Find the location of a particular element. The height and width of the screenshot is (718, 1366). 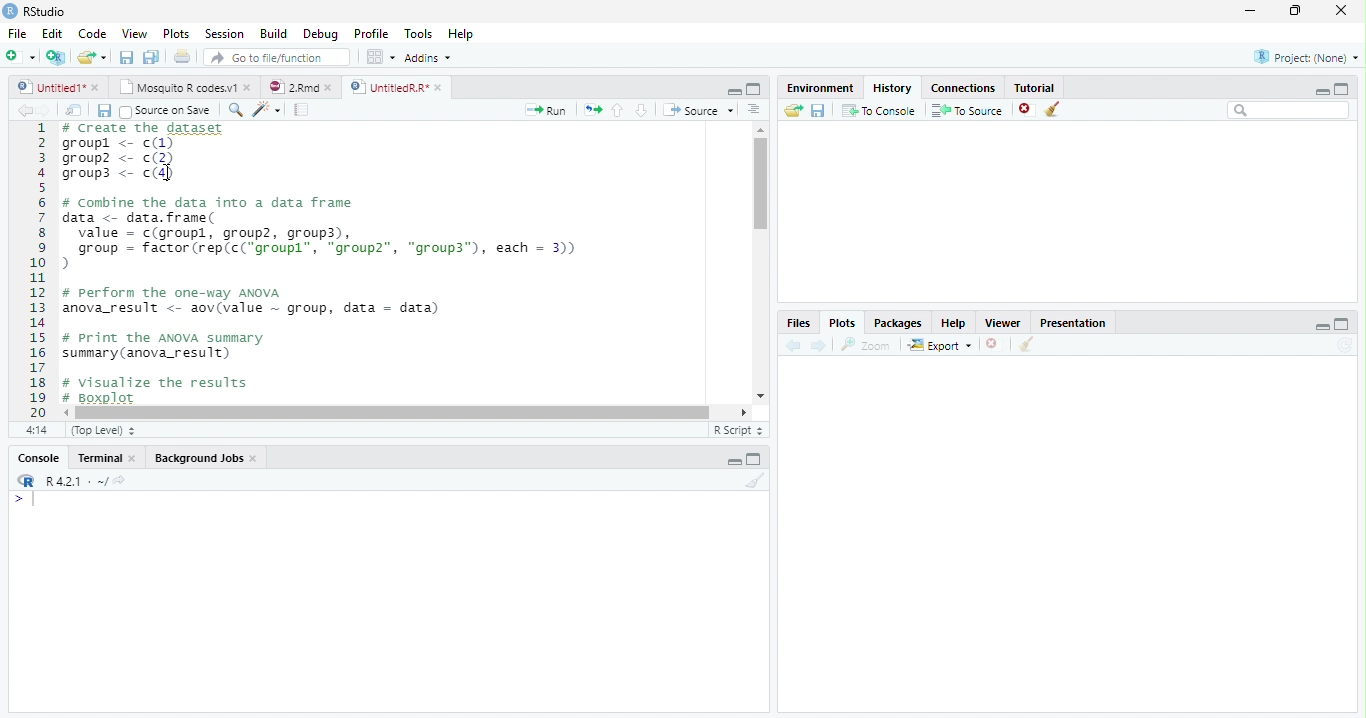

Run is located at coordinates (546, 110).